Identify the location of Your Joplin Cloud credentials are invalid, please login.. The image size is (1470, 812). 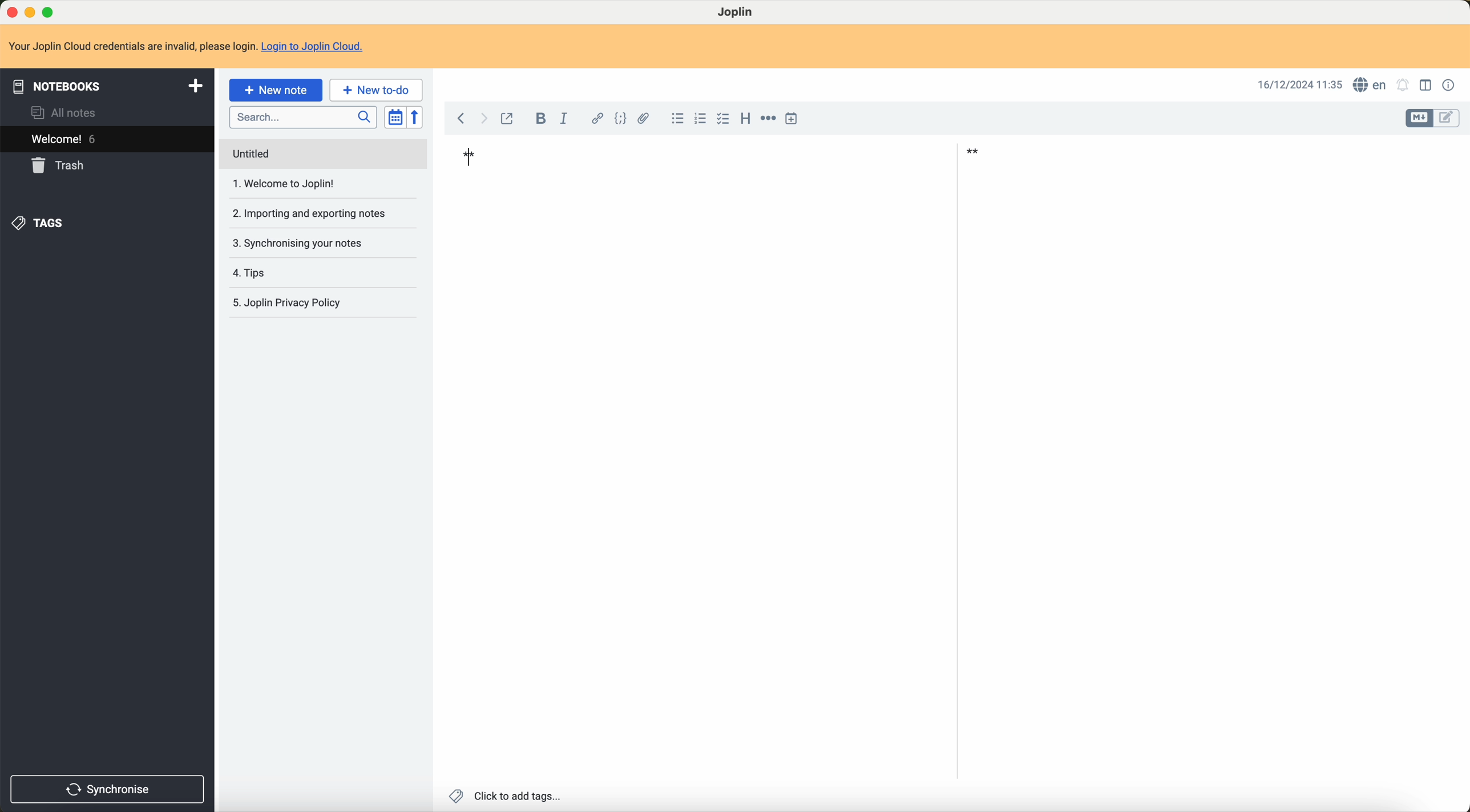
(131, 45).